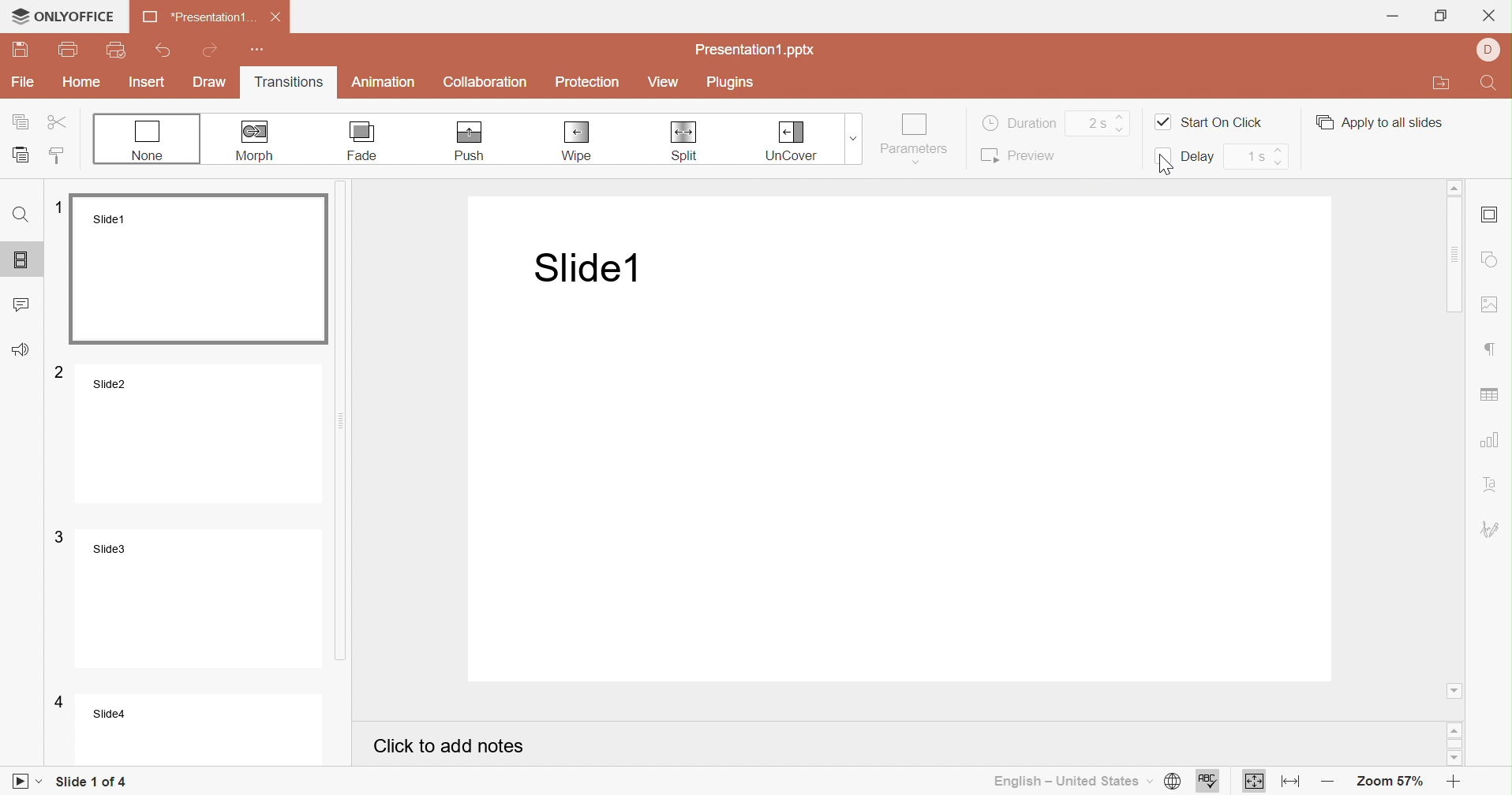 This screenshot has width=1512, height=795. What do you see at coordinates (23, 214) in the screenshot?
I see `Find` at bounding box center [23, 214].